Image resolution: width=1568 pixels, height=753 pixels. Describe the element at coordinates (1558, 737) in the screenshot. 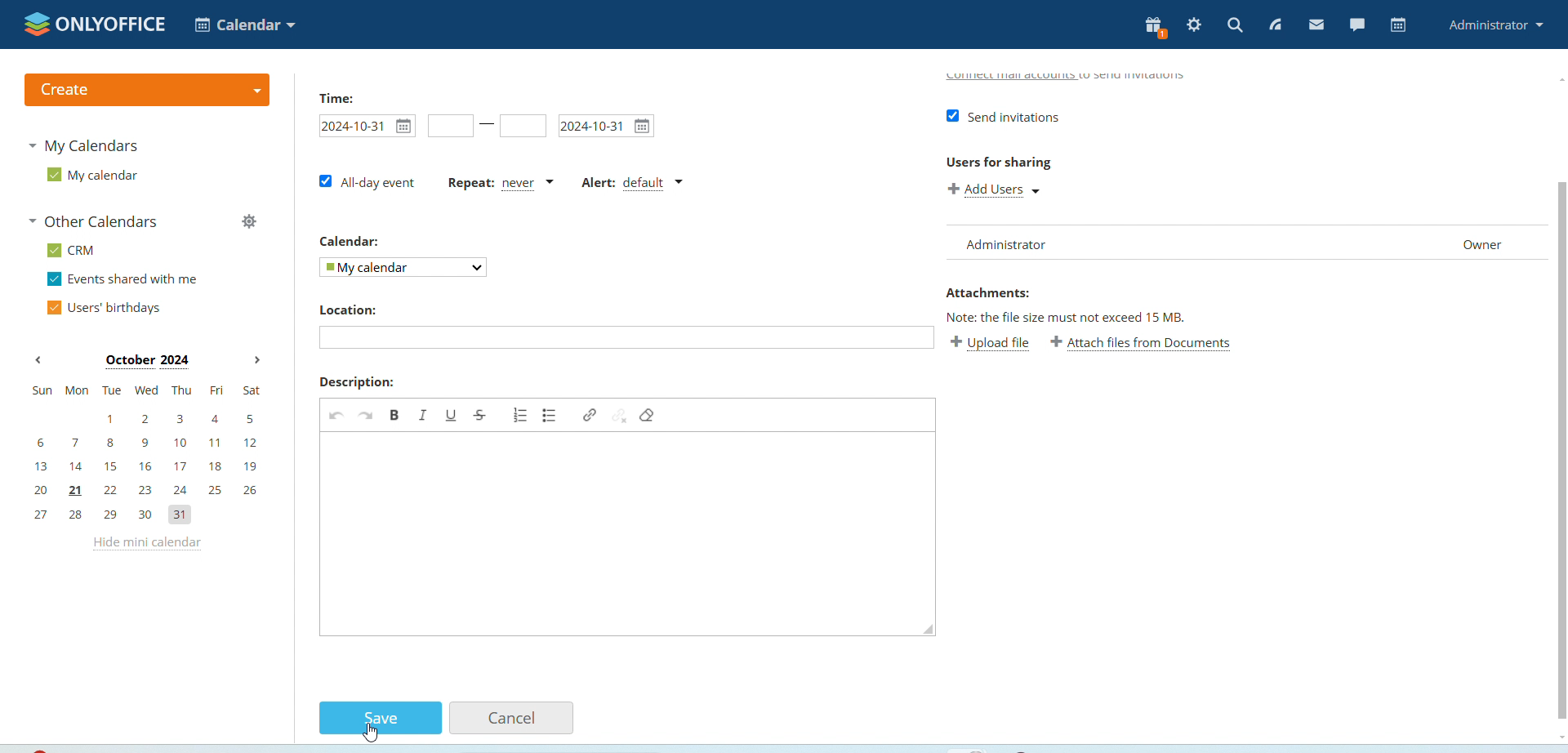

I see `scroll down` at that location.